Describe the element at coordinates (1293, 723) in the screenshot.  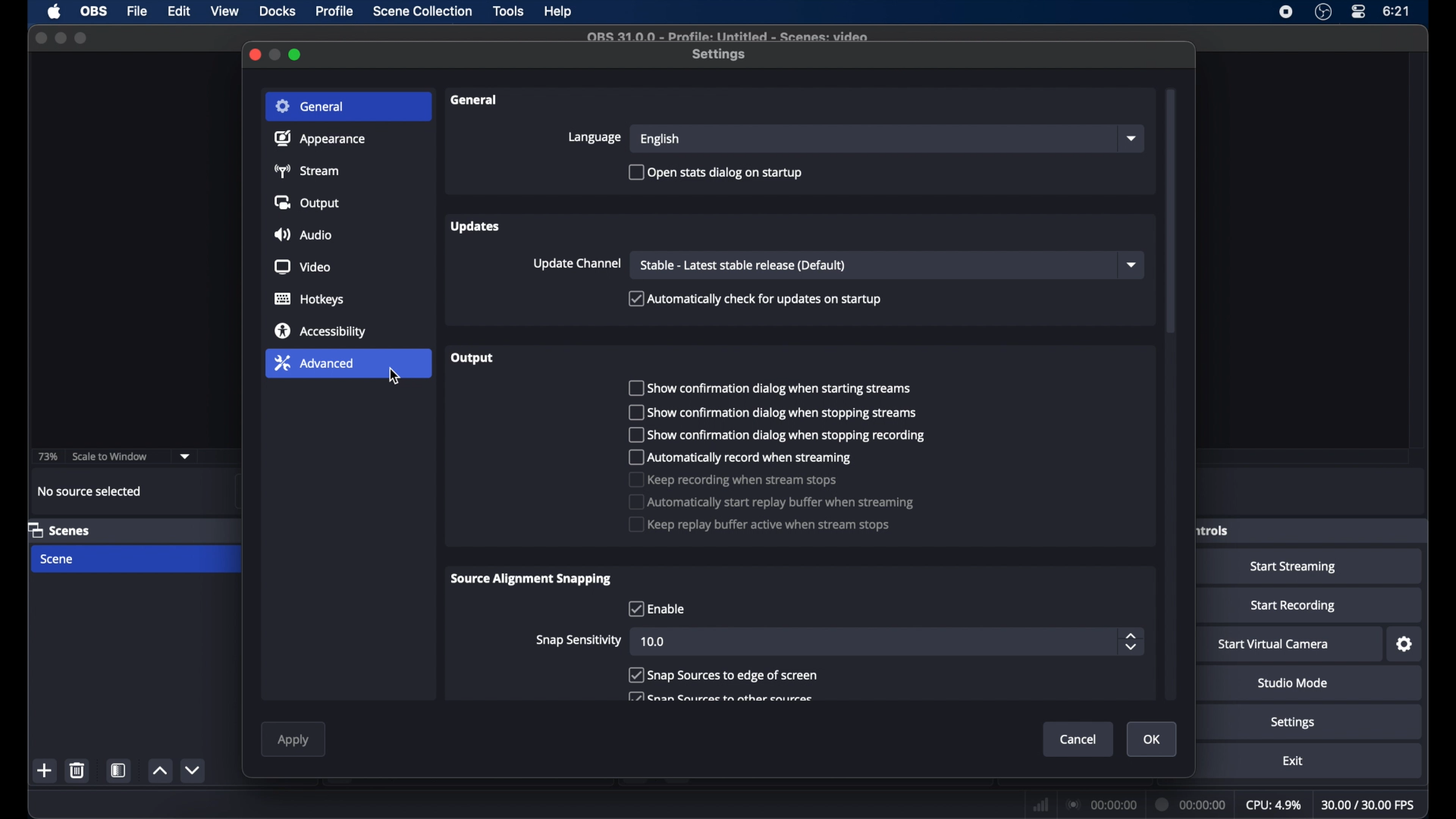
I see `settings` at that location.